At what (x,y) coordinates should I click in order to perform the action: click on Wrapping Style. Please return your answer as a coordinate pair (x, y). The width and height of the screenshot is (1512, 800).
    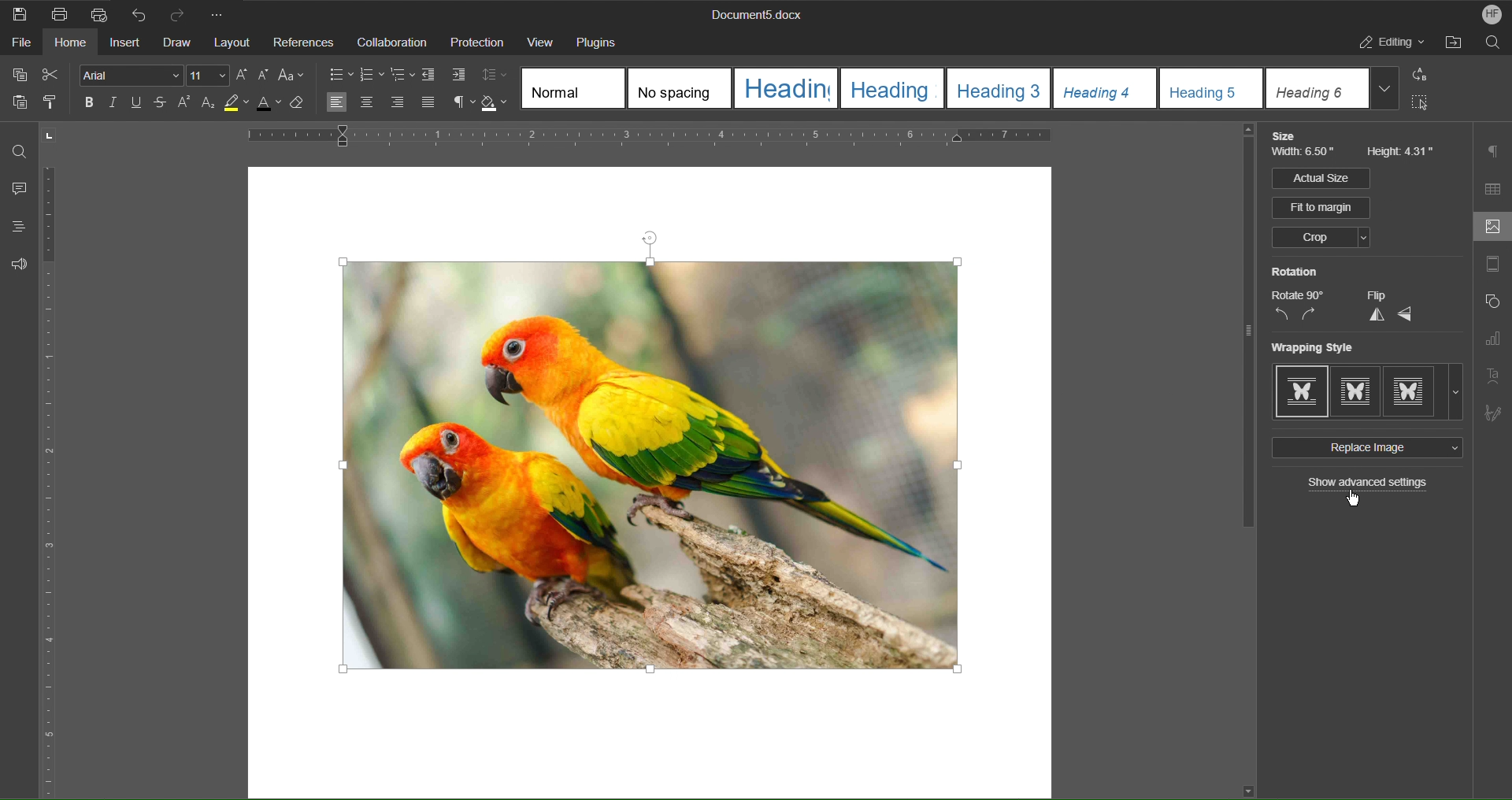
    Looking at the image, I should click on (1368, 392).